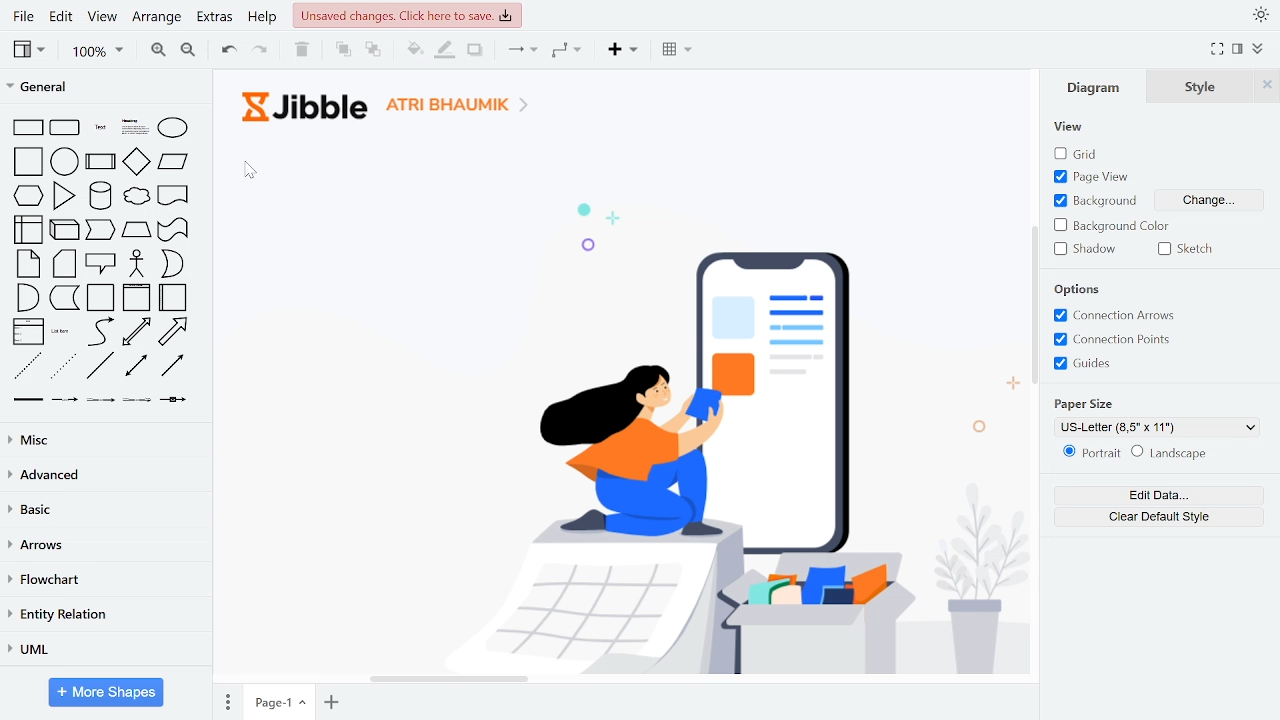  Describe the element at coordinates (518, 52) in the screenshot. I see `connector` at that location.